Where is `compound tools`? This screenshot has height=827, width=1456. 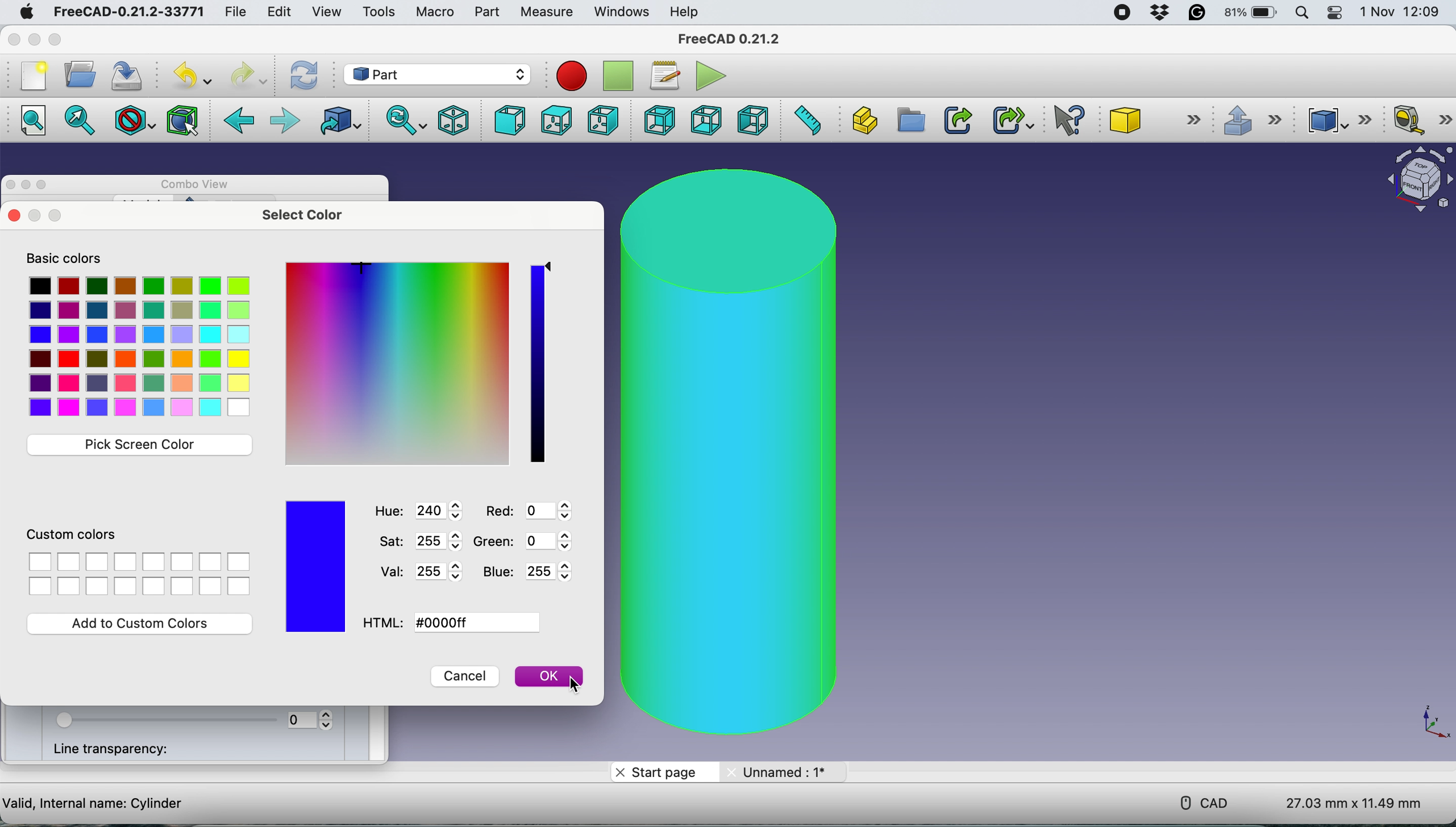 compound tools is located at coordinates (1338, 119).